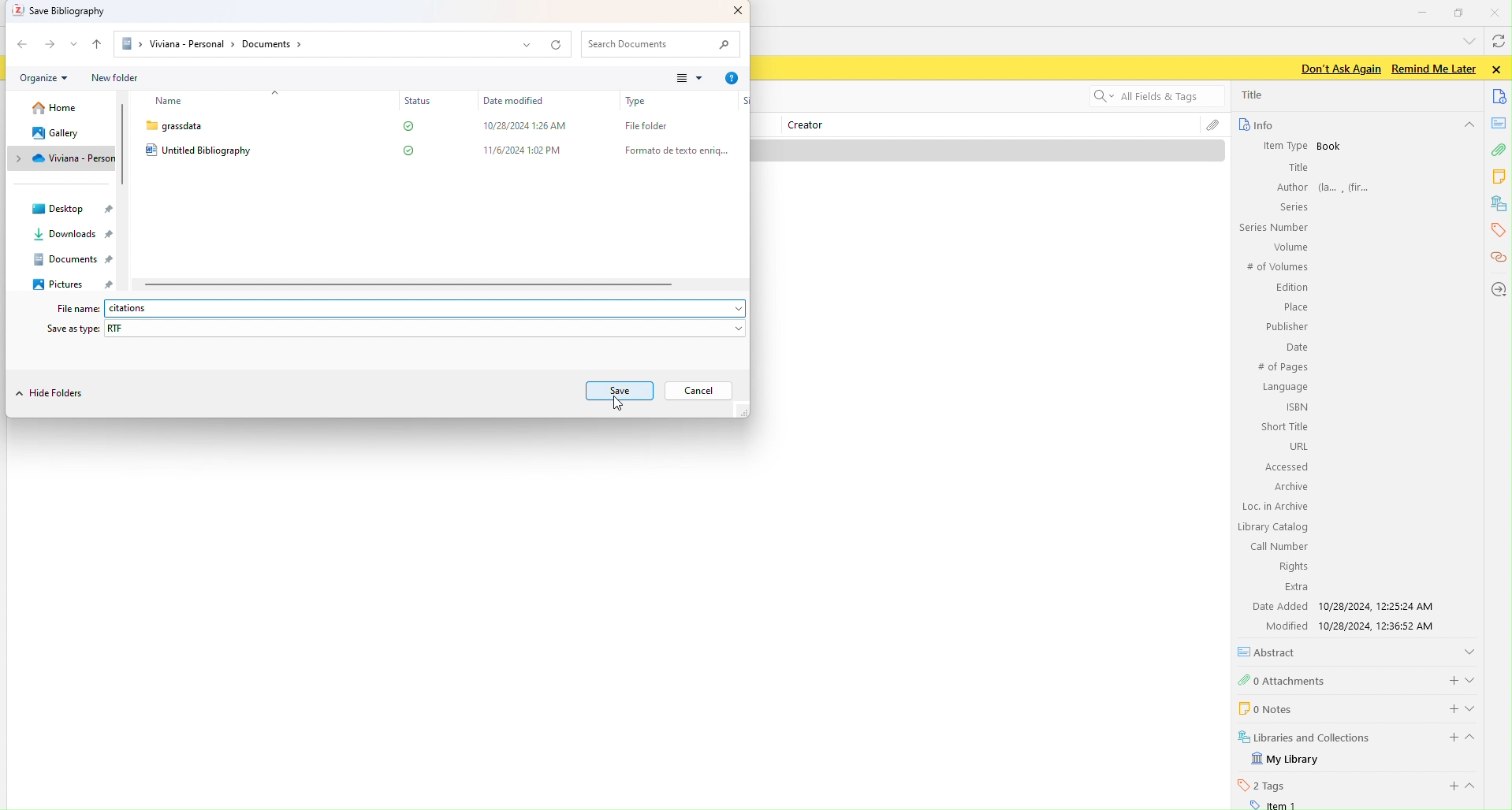 Image resolution: width=1512 pixels, height=810 pixels. I want to click on Remind Me Later, so click(1433, 69).